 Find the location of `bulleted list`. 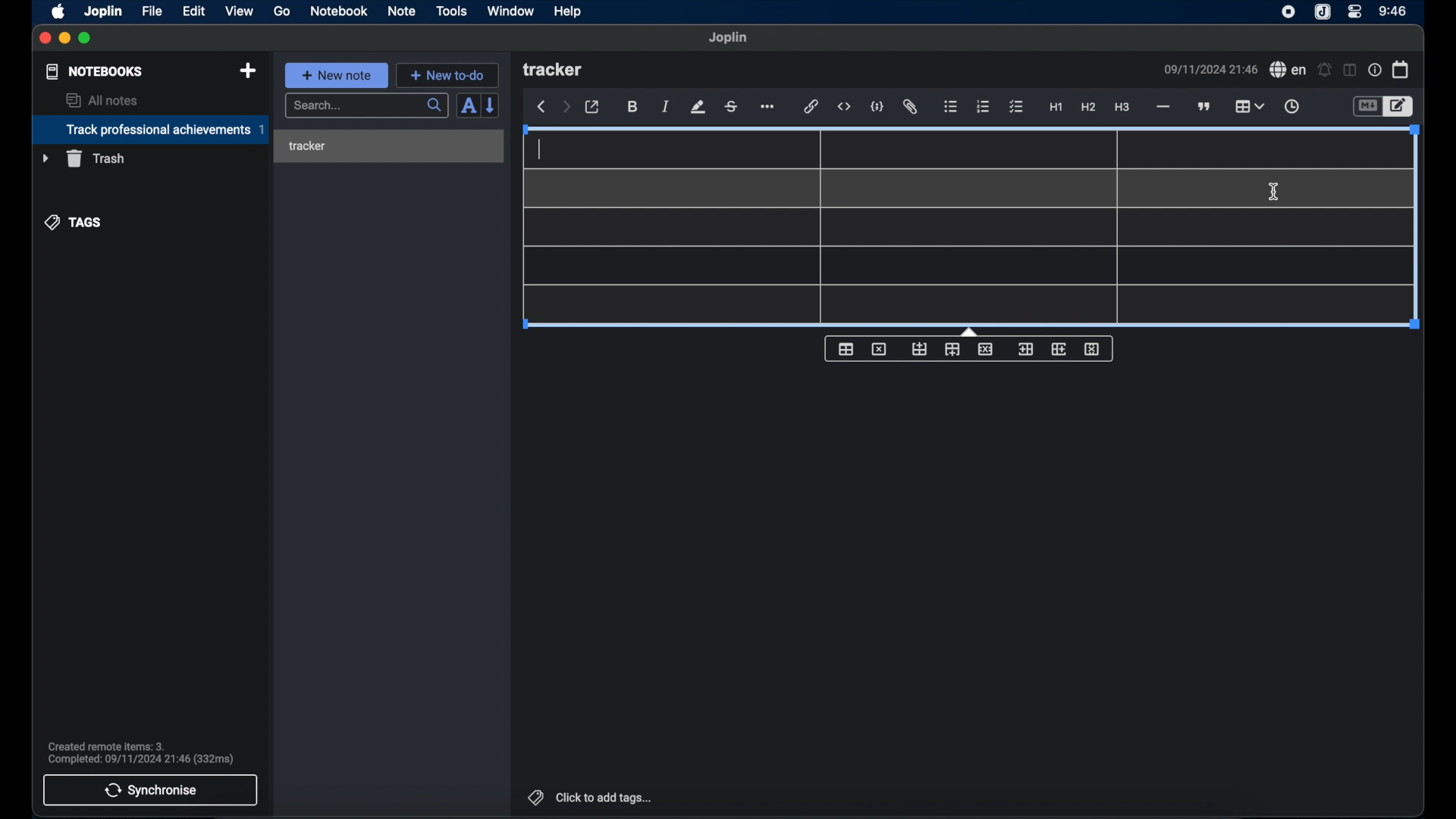

bulleted list is located at coordinates (951, 108).